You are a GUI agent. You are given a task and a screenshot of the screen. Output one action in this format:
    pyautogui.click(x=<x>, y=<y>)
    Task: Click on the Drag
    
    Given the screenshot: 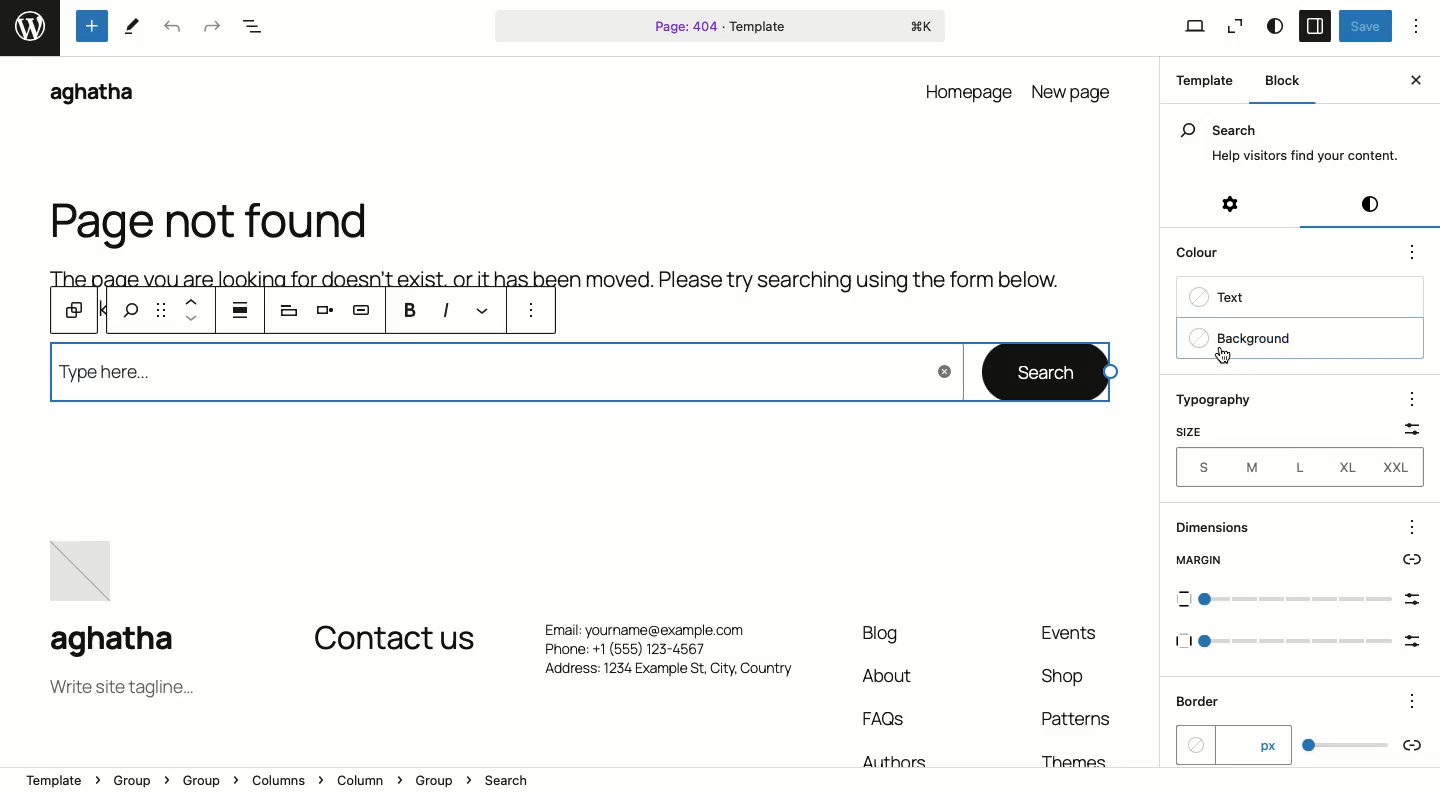 What is the action you would take?
    pyautogui.click(x=160, y=309)
    